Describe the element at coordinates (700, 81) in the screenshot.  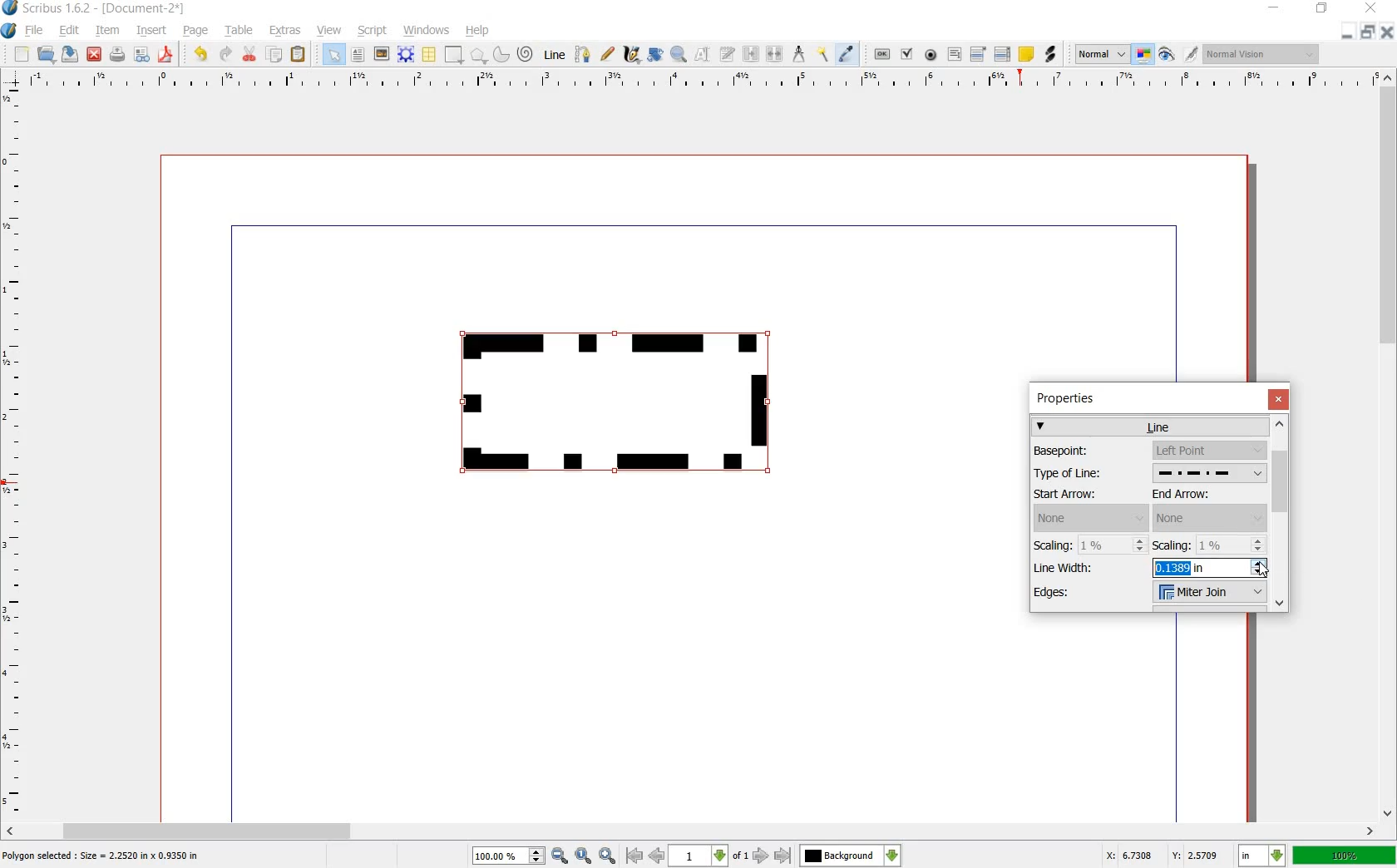
I see `RULER` at that location.